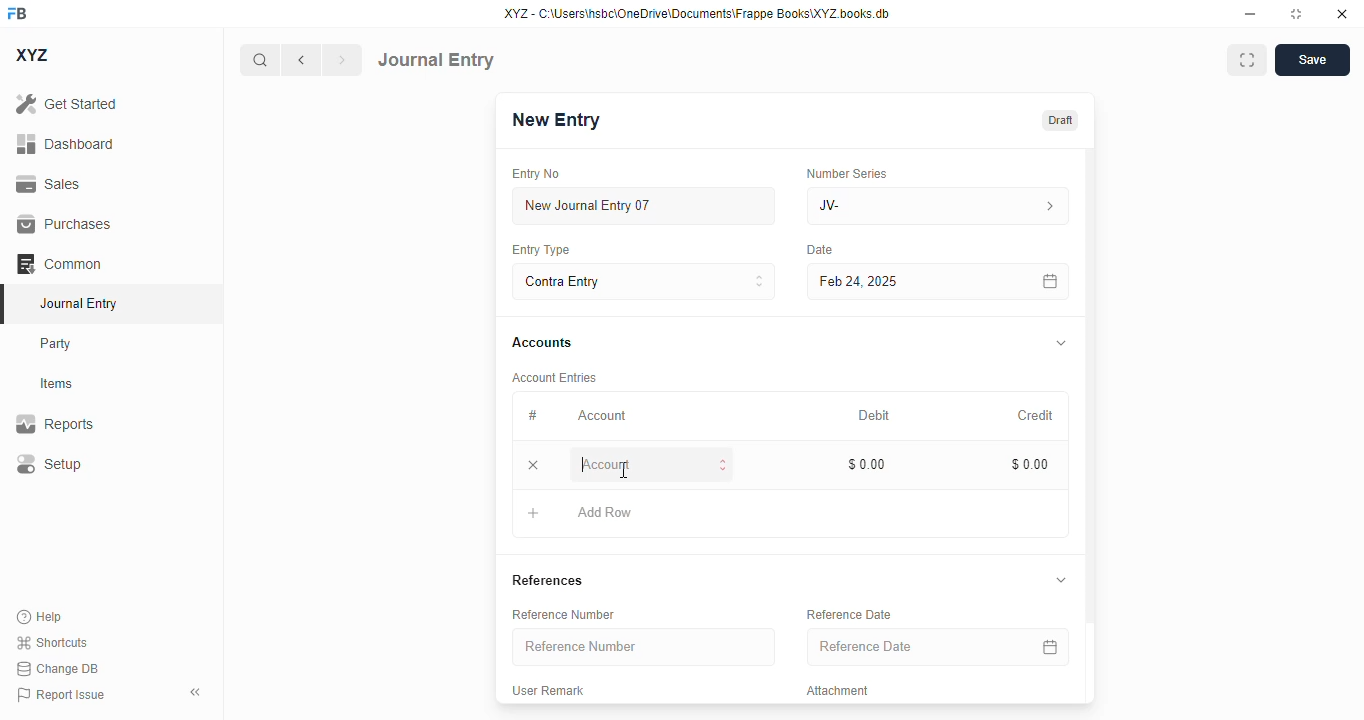  What do you see at coordinates (259, 60) in the screenshot?
I see `search` at bounding box center [259, 60].